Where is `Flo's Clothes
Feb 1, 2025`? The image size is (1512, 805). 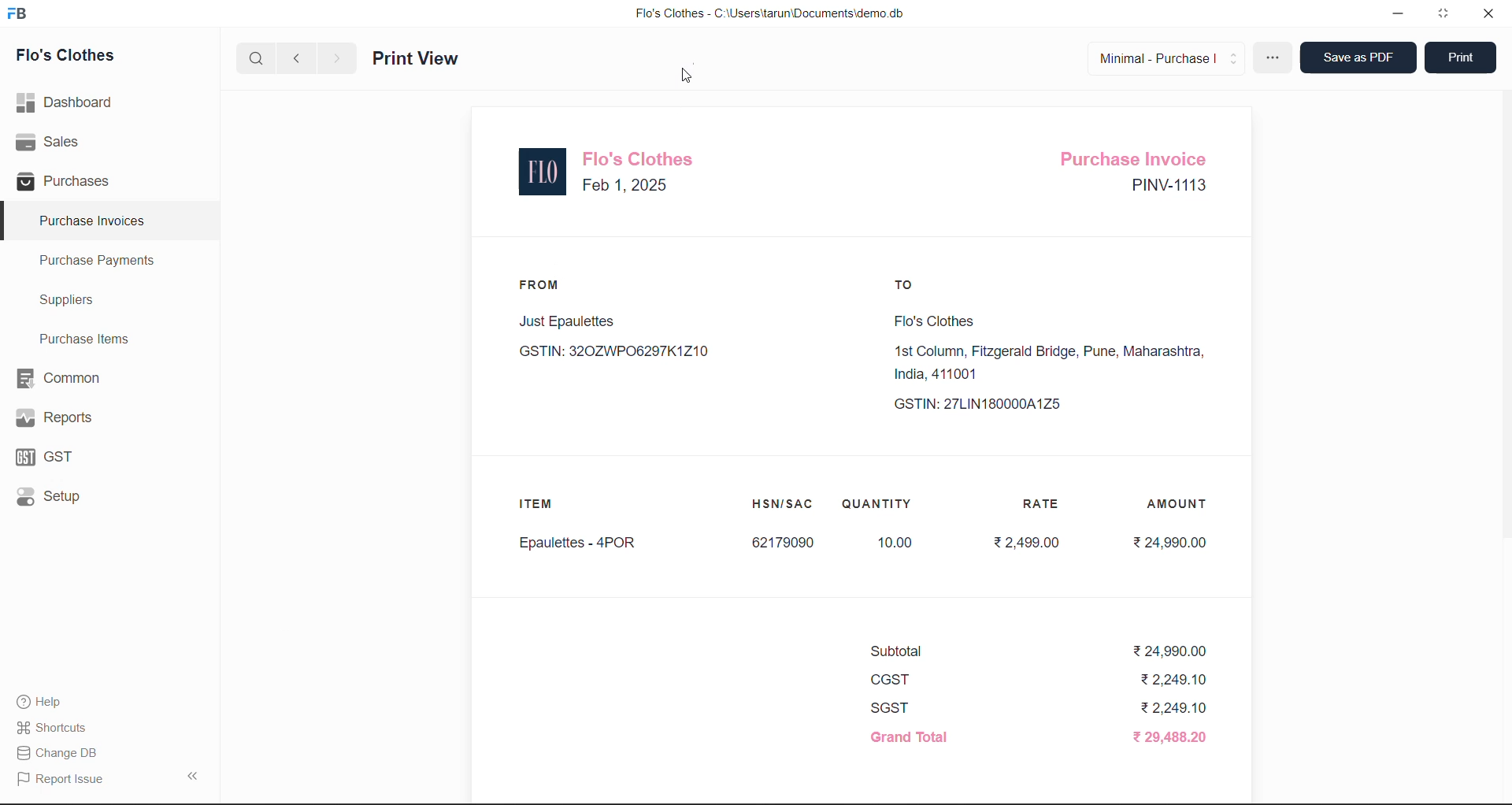 Flo's Clothes
Feb 1, 2025 is located at coordinates (643, 172).